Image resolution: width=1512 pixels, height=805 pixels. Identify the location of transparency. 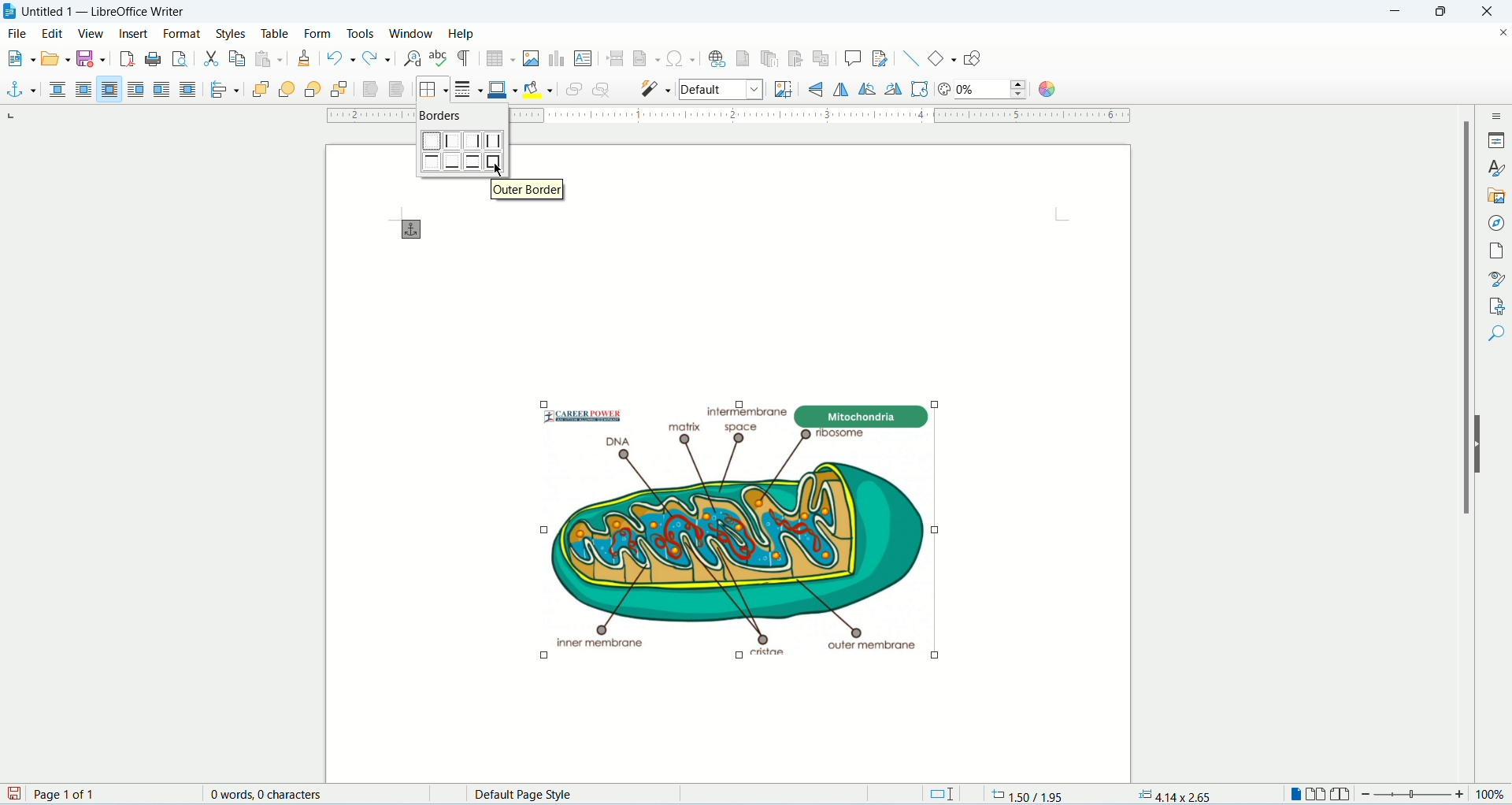
(993, 90).